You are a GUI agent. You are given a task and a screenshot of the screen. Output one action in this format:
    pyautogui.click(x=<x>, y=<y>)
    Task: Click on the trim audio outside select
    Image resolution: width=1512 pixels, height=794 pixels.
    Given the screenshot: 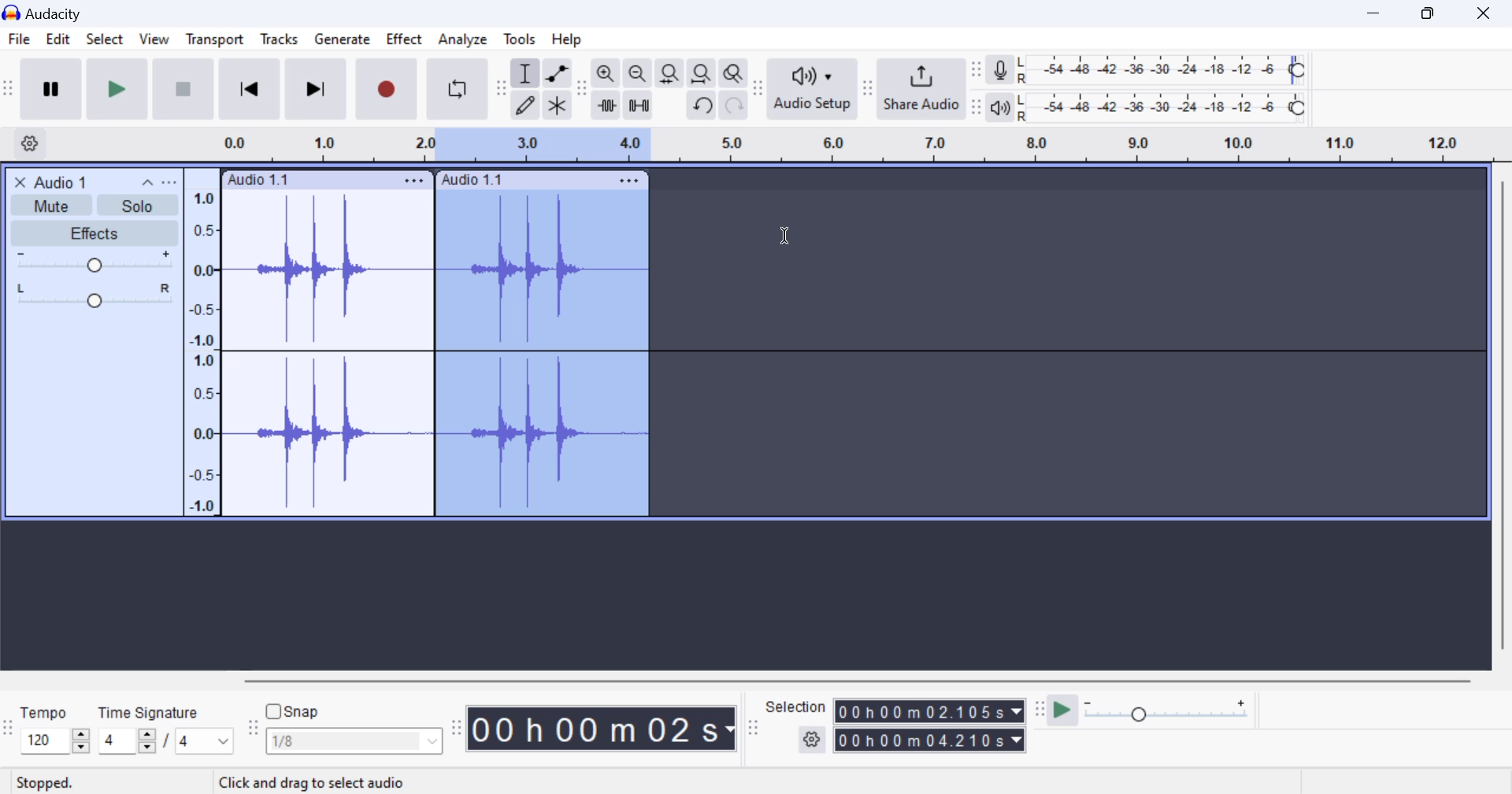 What is the action you would take?
    pyautogui.click(x=607, y=105)
    